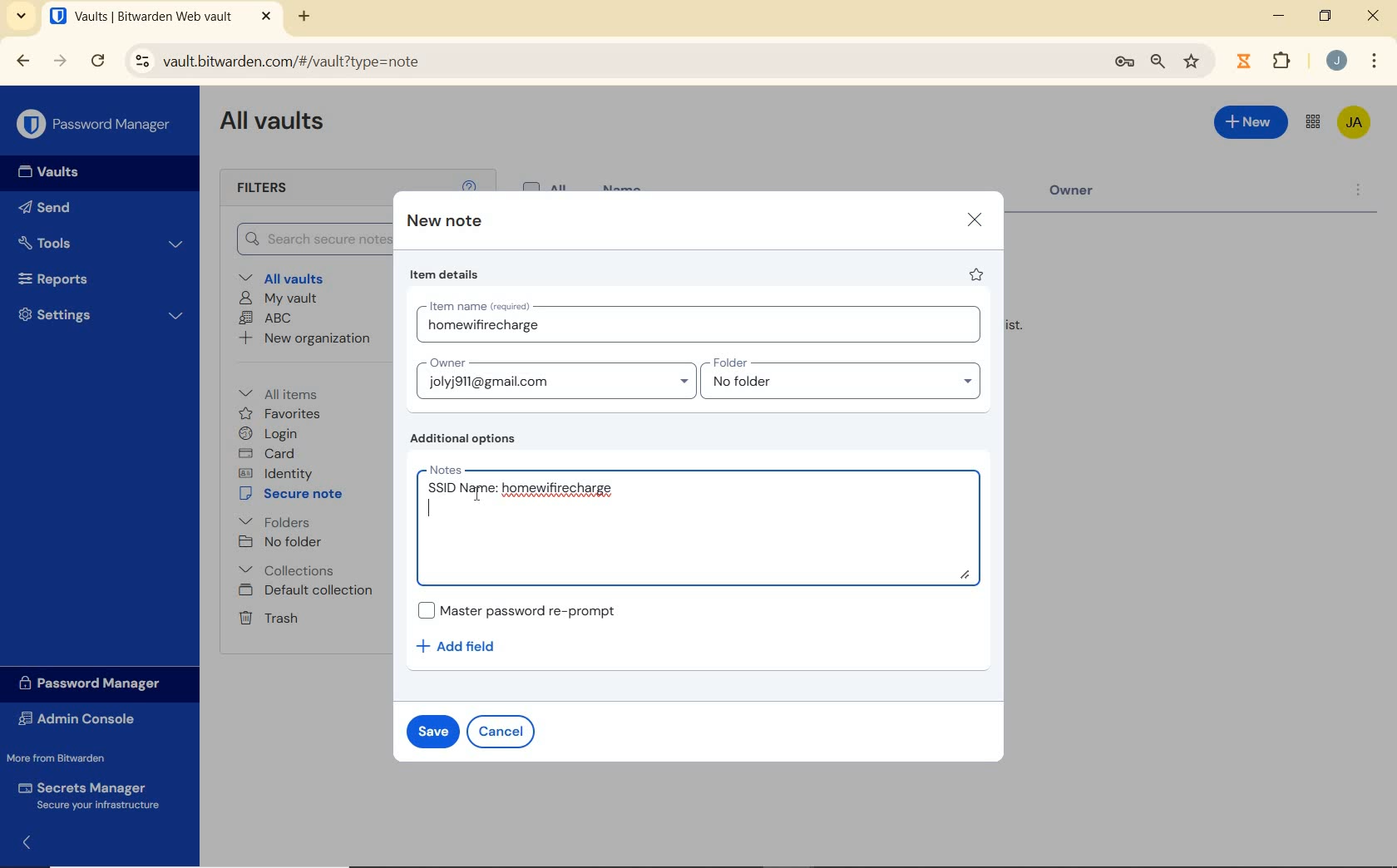  I want to click on Tools, so click(102, 242).